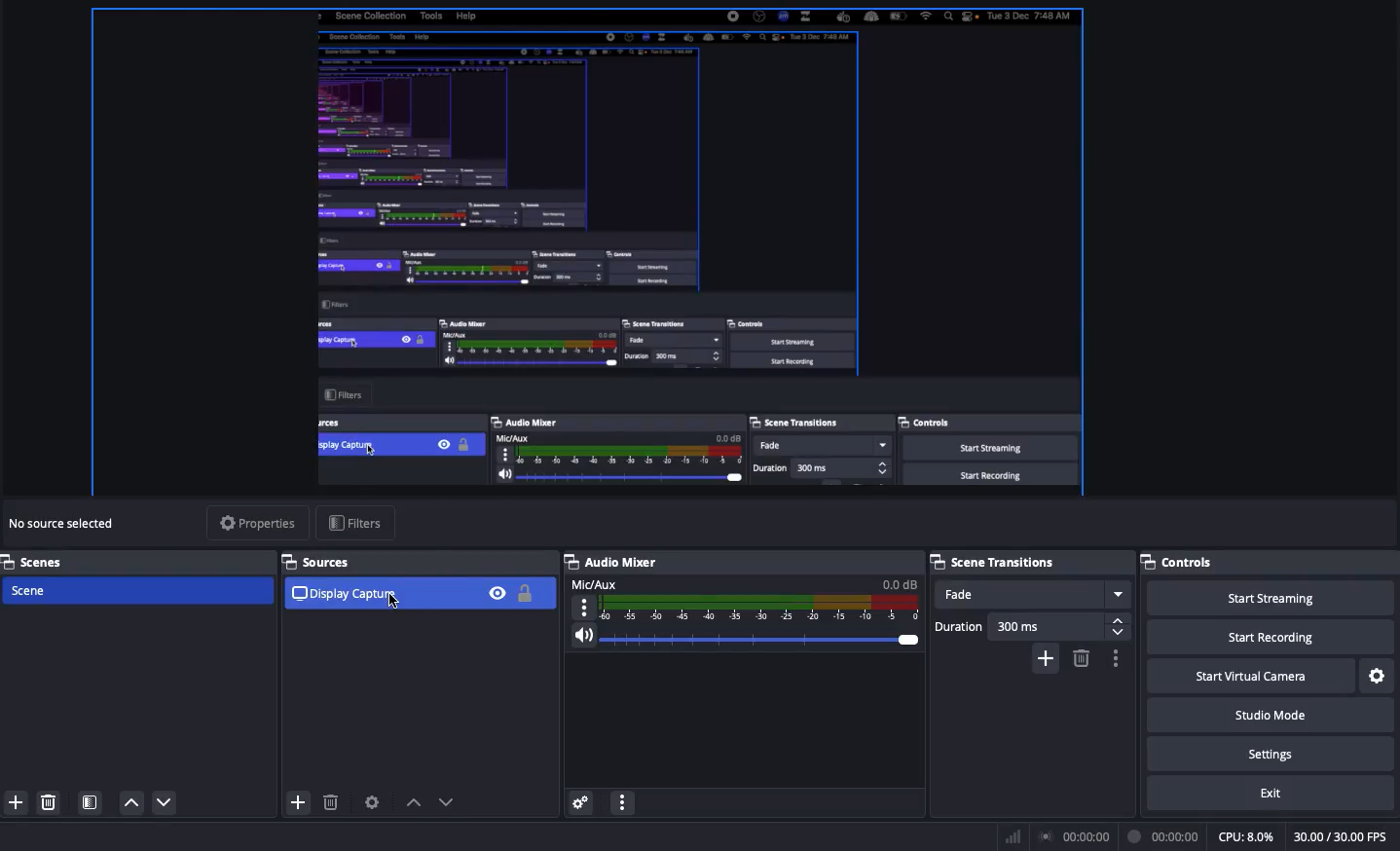  Describe the element at coordinates (747, 598) in the screenshot. I see `Mic/Aux` at that location.